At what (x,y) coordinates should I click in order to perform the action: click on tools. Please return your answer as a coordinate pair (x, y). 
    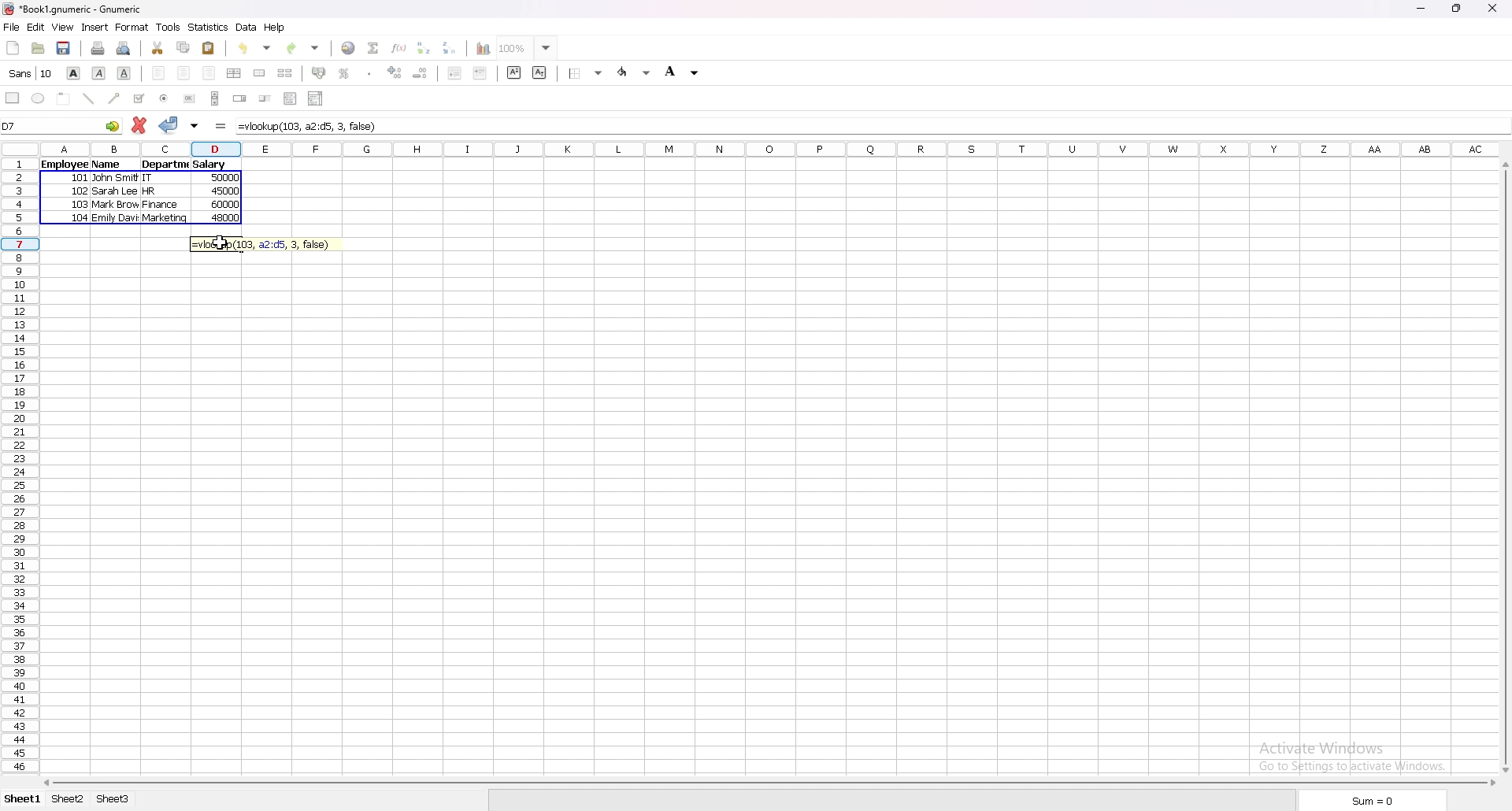
    Looking at the image, I should click on (168, 27).